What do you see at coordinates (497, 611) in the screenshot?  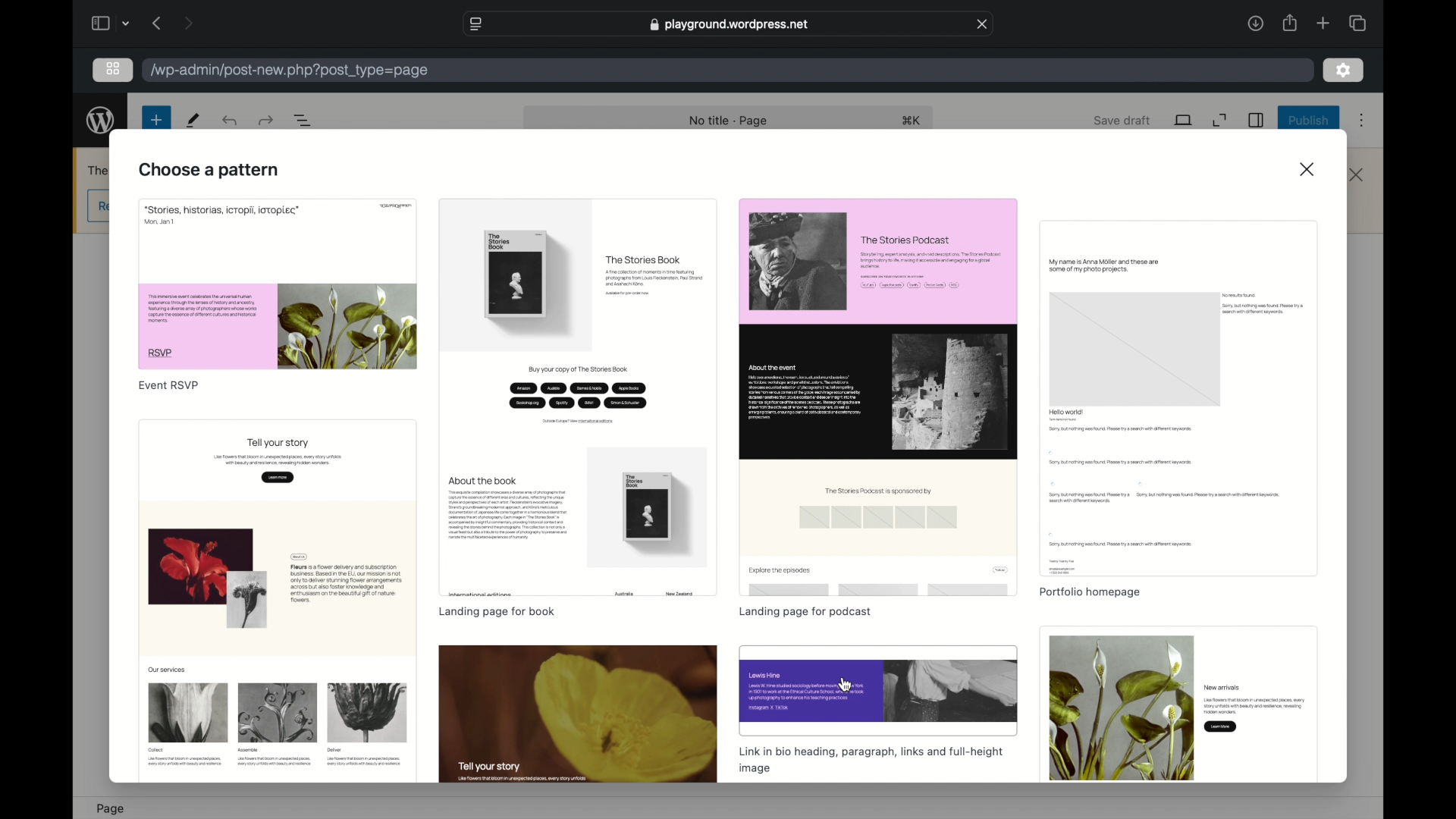 I see `landing page for book` at bounding box center [497, 611].